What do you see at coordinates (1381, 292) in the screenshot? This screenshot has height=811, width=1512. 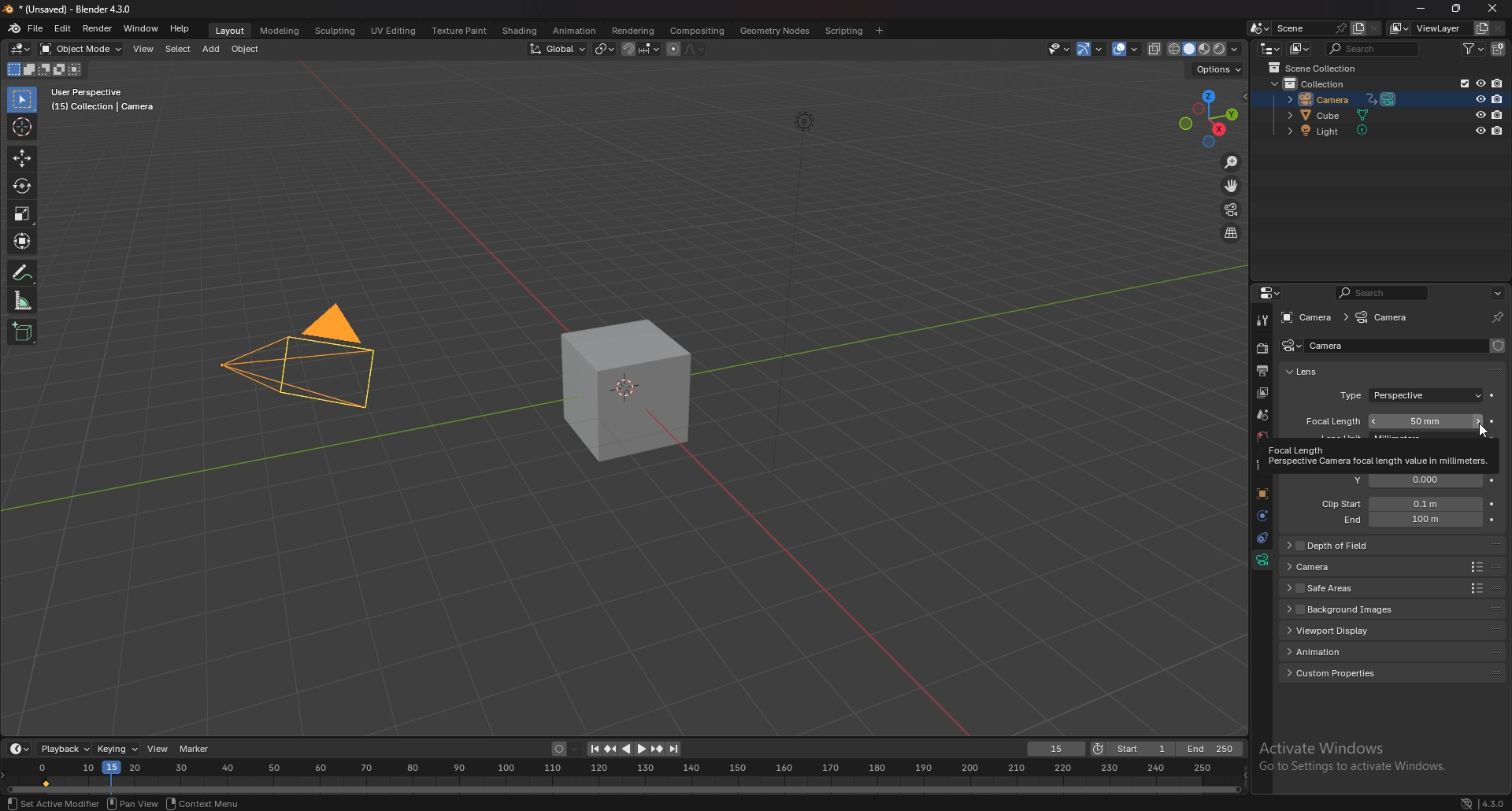 I see `search` at bounding box center [1381, 292].